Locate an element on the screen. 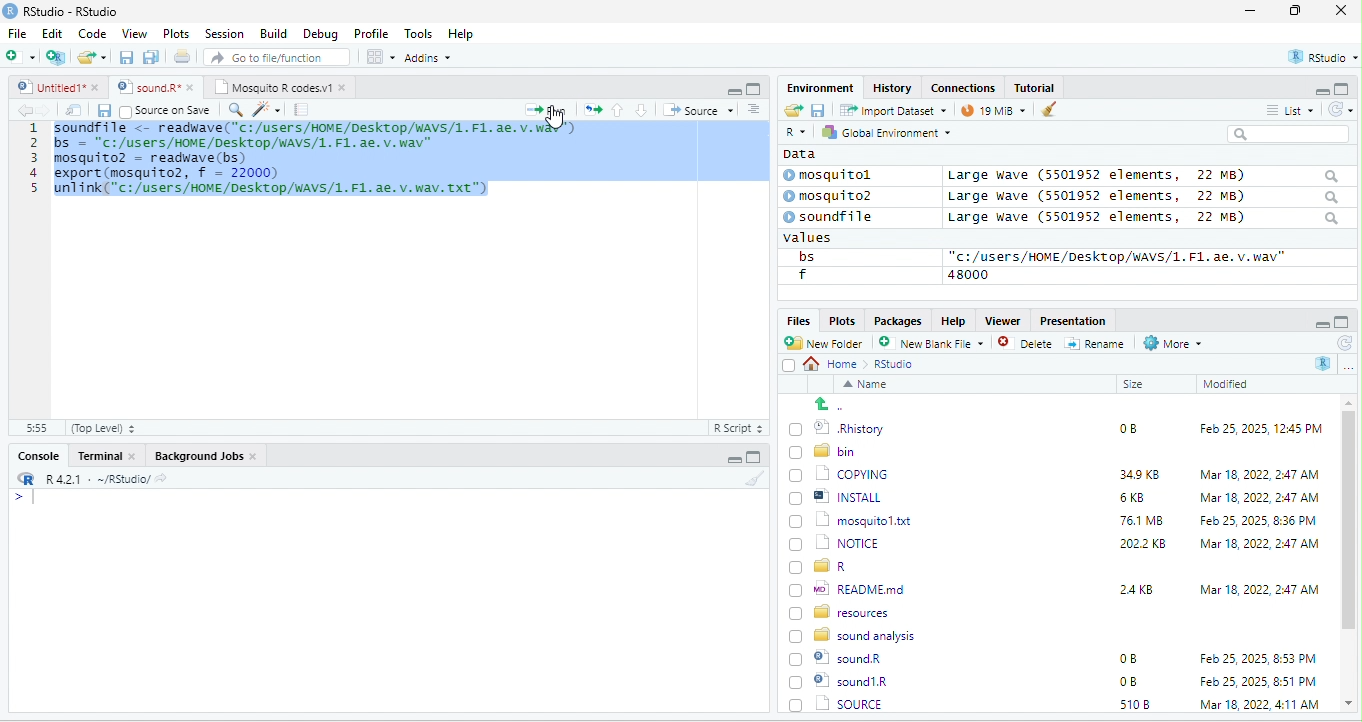 The image size is (1362, 722). Viewer is located at coordinates (1000, 321).